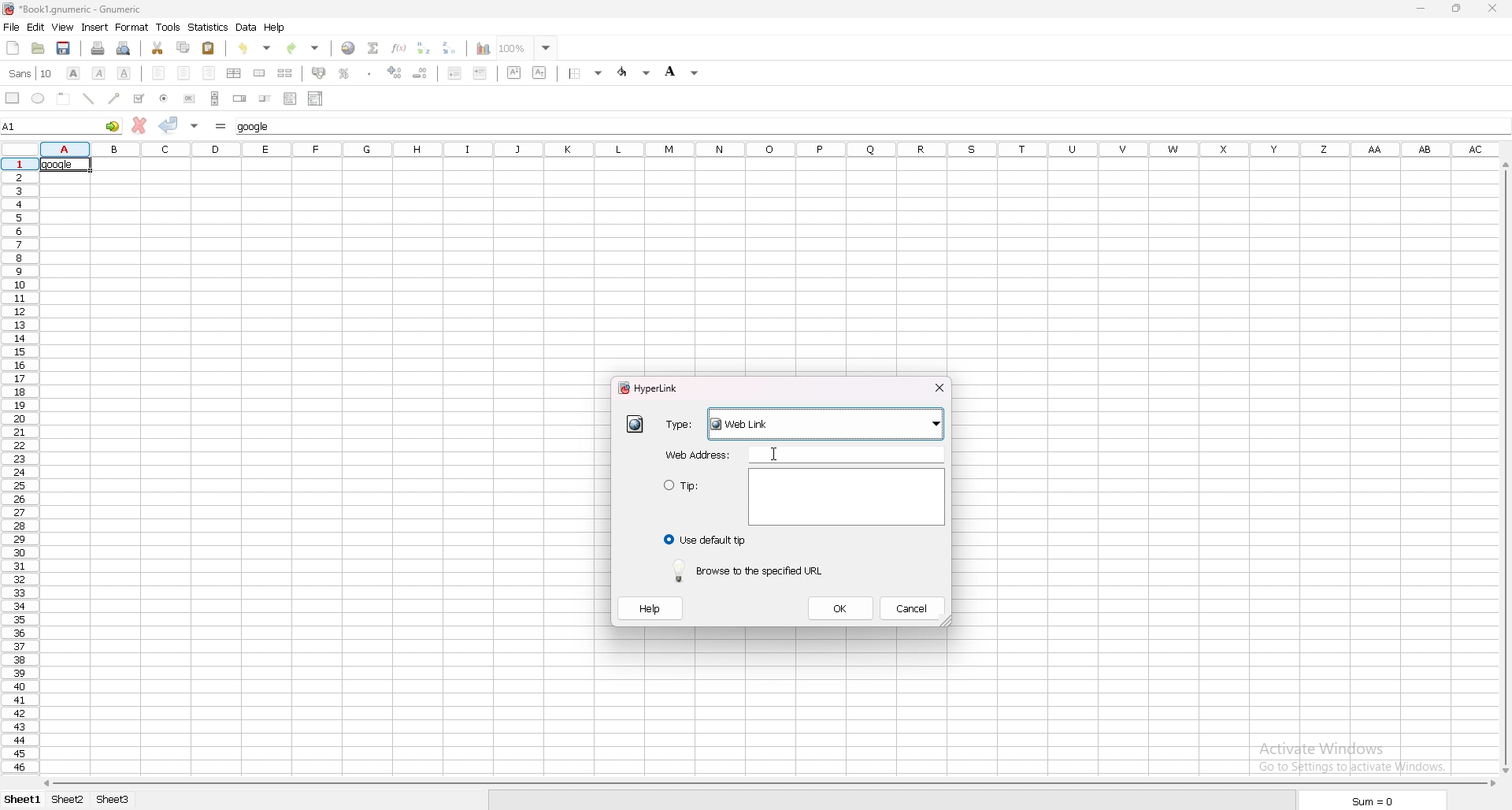 Image resolution: width=1512 pixels, height=810 pixels. Describe the element at coordinates (528, 47) in the screenshot. I see `zoom` at that location.